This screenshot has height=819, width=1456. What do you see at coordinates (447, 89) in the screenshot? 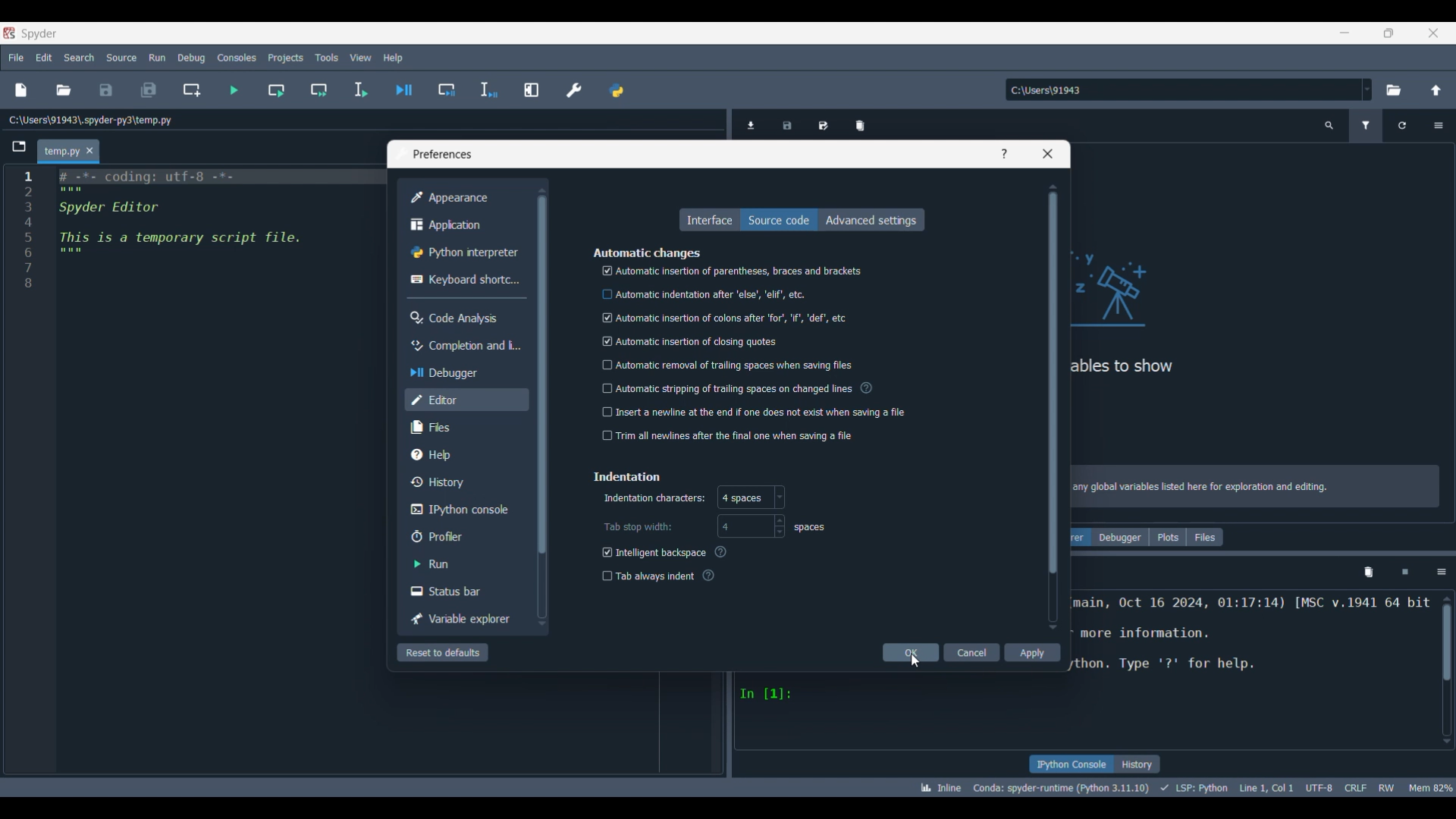
I see `Debug cell` at bounding box center [447, 89].